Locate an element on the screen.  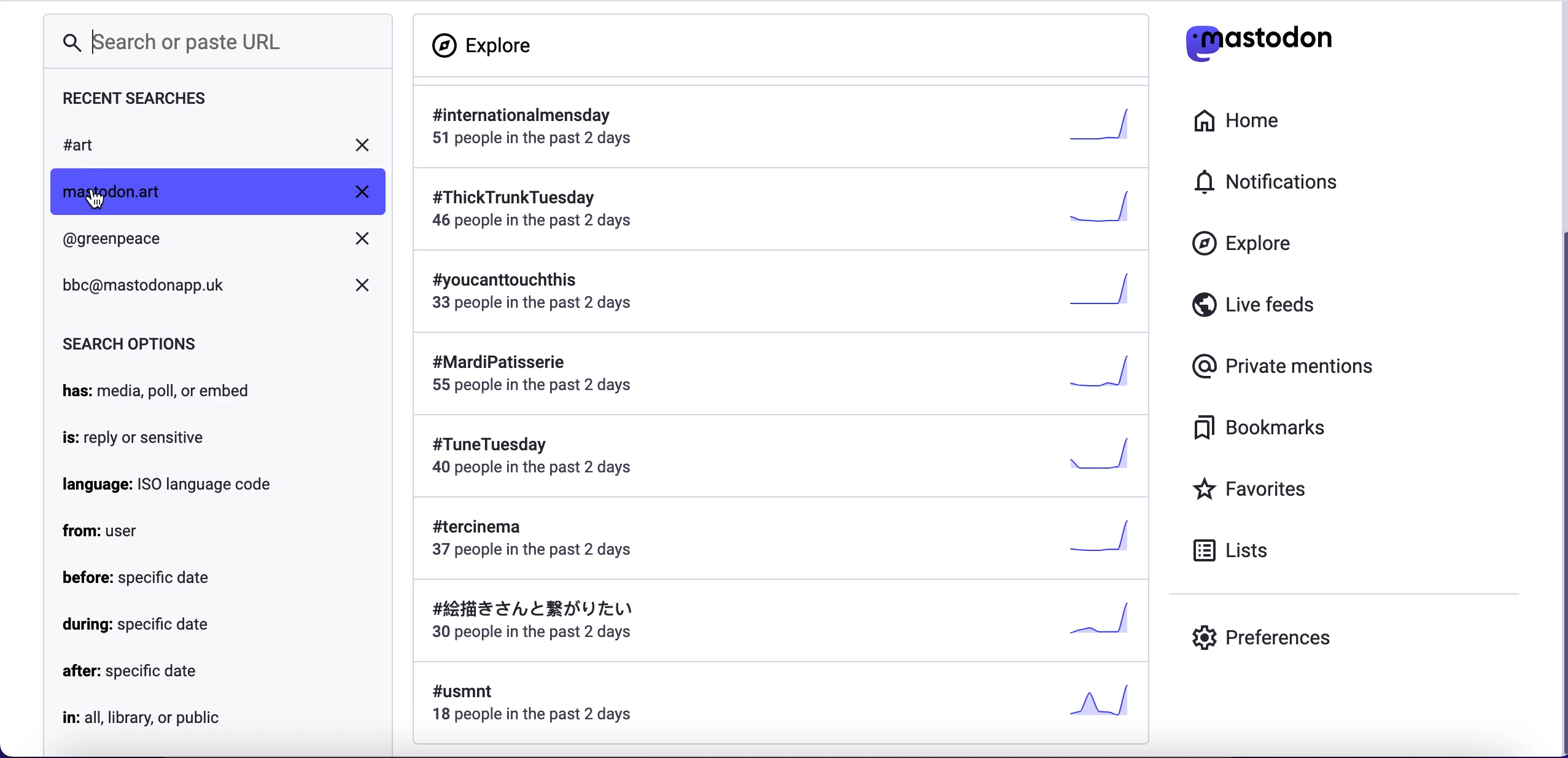
has: media, poll or embed is located at coordinates (160, 391).